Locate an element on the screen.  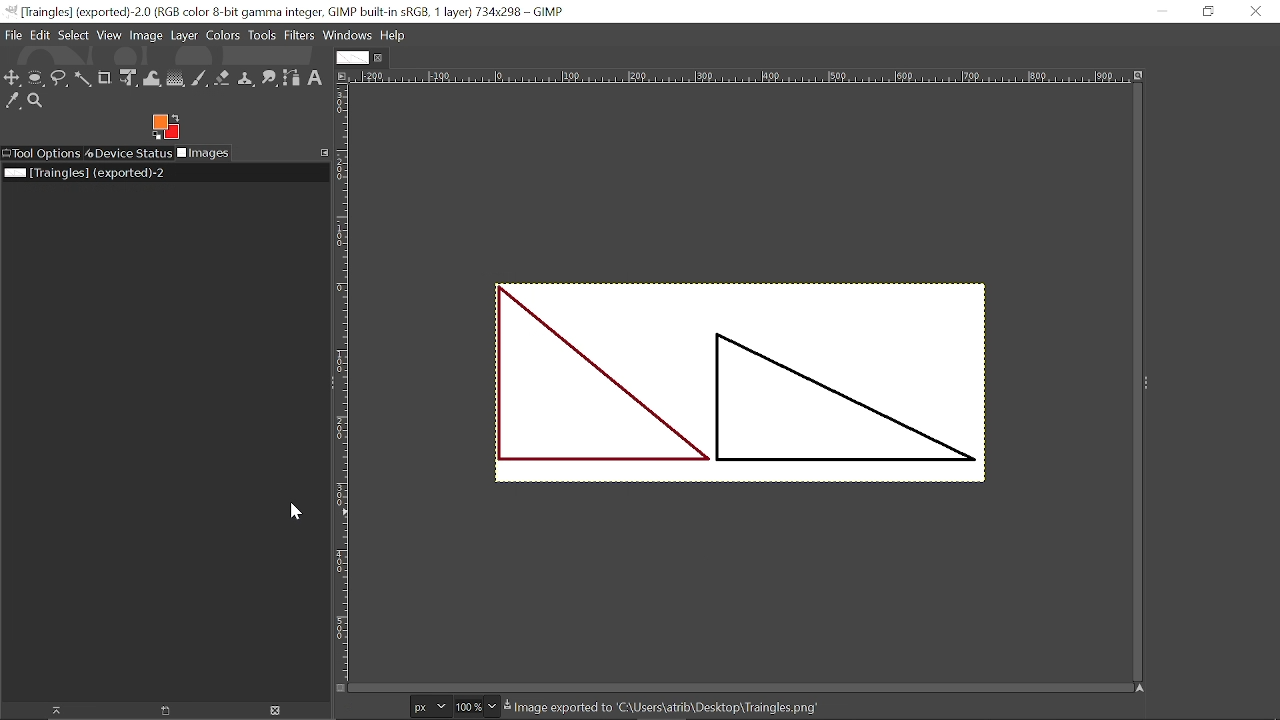
Sidebar options is located at coordinates (1147, 381).